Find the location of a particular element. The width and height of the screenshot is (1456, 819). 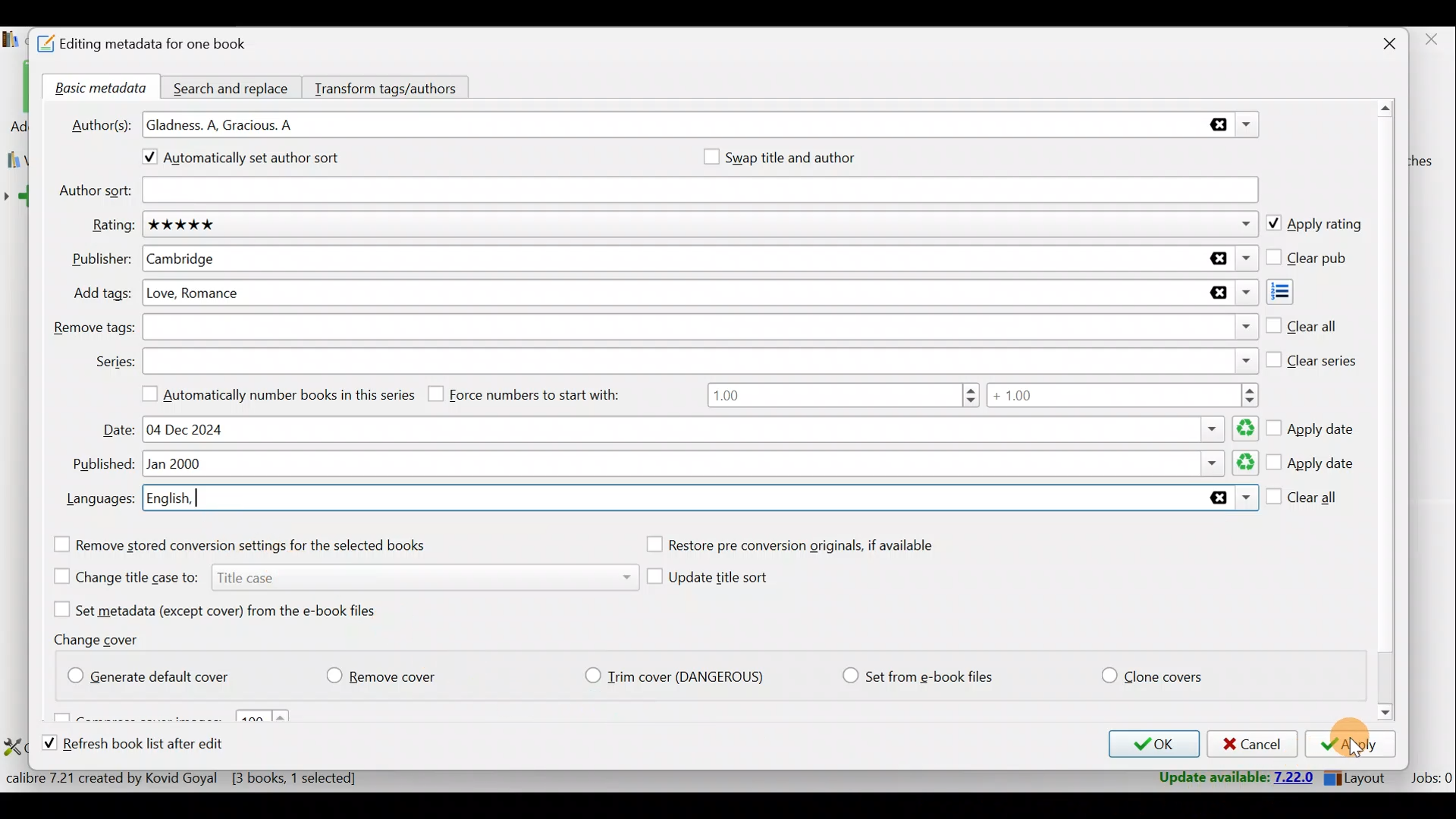

Scroll bar is located at coordinates (1387, 413).